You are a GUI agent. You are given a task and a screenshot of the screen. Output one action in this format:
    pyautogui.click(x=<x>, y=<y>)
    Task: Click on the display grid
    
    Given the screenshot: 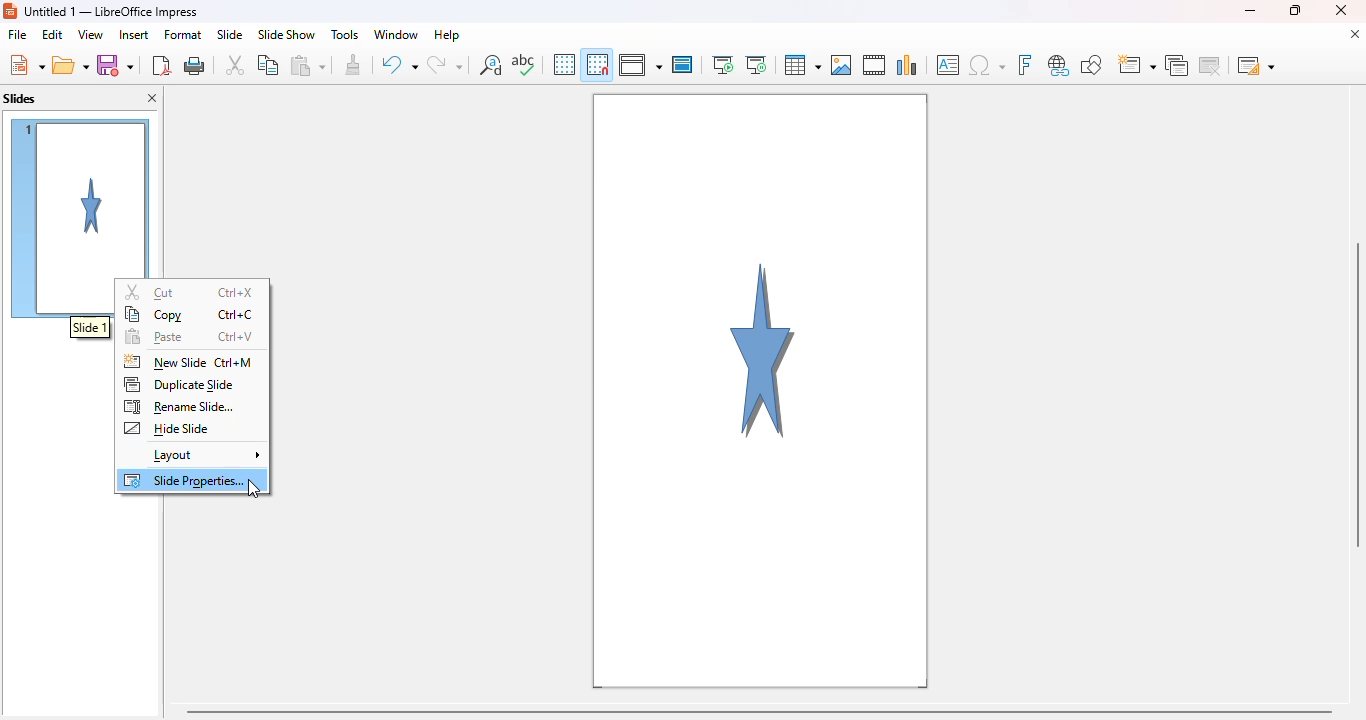 What is the action you would take?
    pyautogui.click(x=564, y=64)
    